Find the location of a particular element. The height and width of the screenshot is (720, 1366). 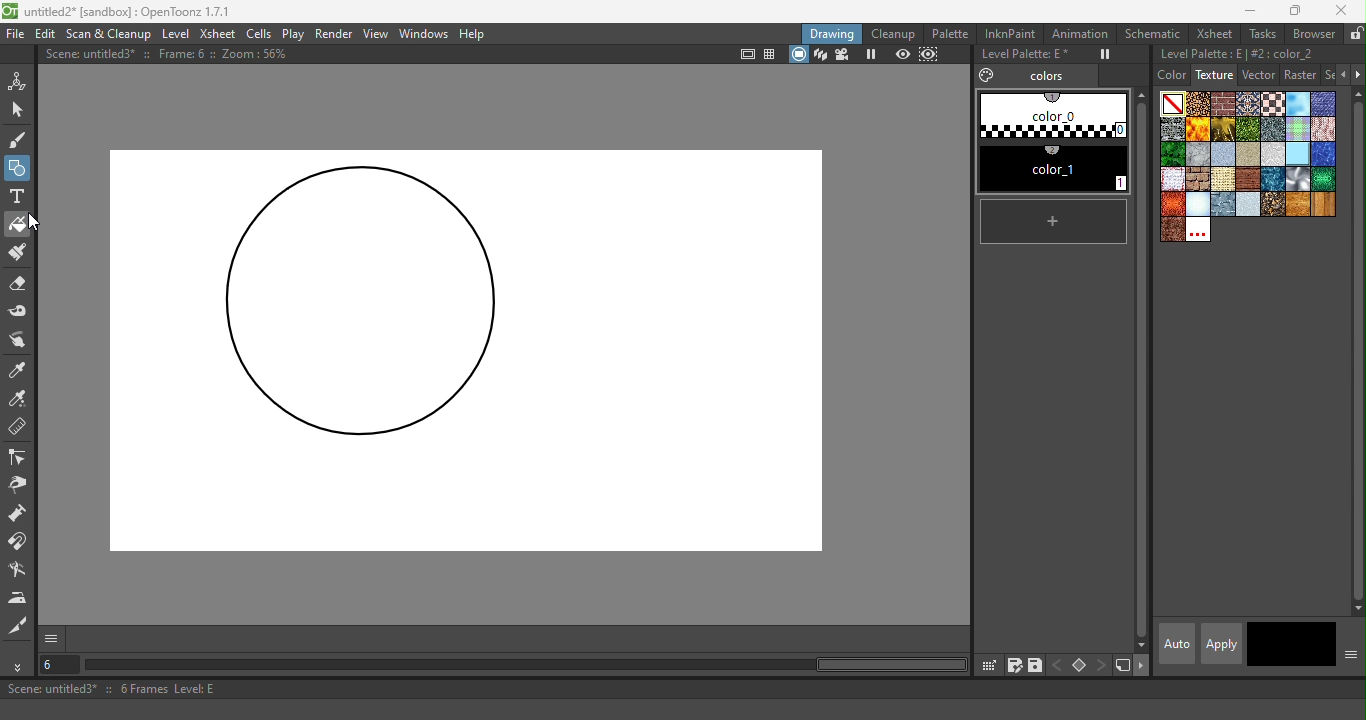

click & drag palette into studio palette is located at coordinates (988, 665).